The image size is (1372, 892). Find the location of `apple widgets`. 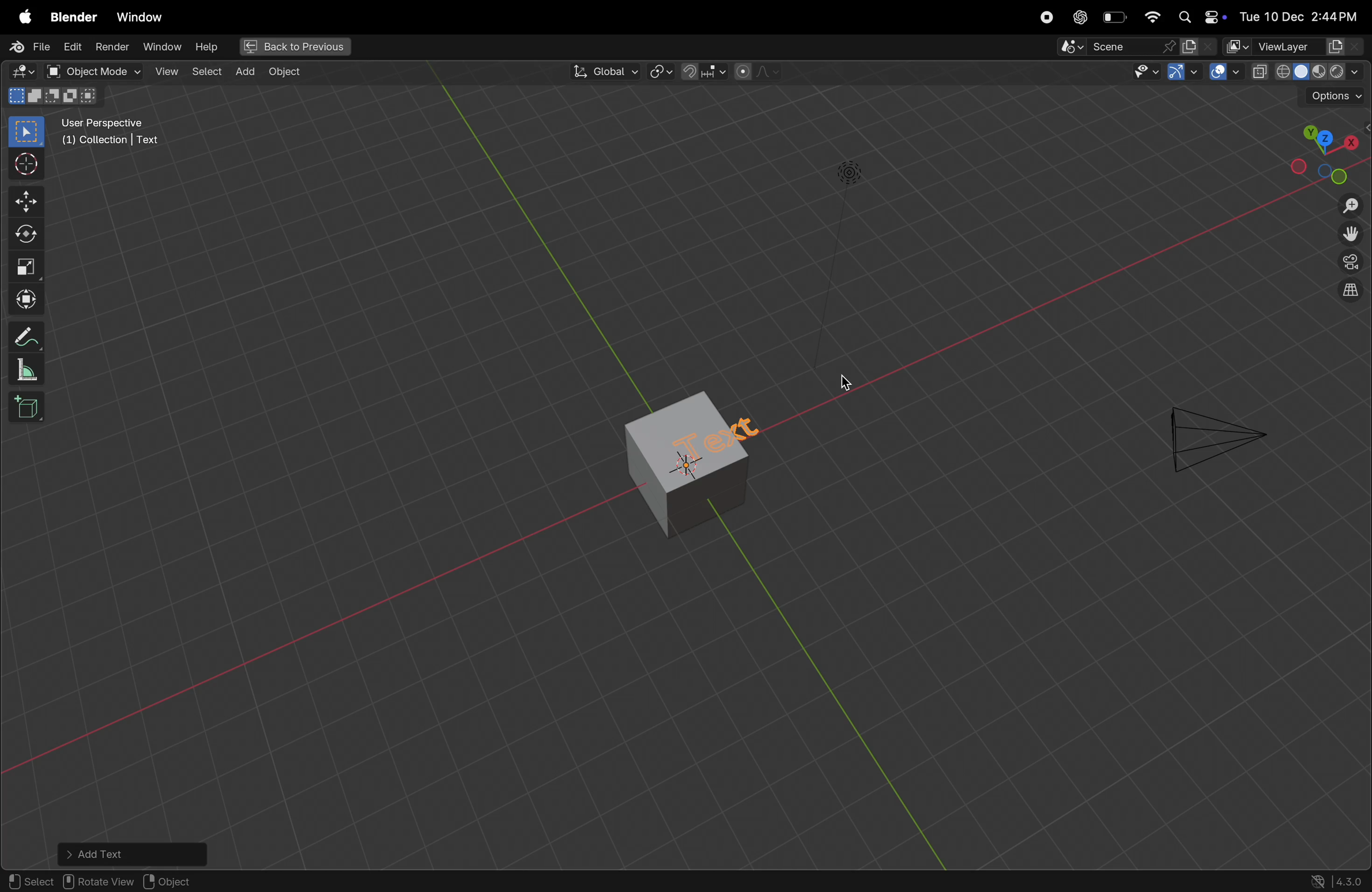

apple widgets is located at coordinates (1198, 16).